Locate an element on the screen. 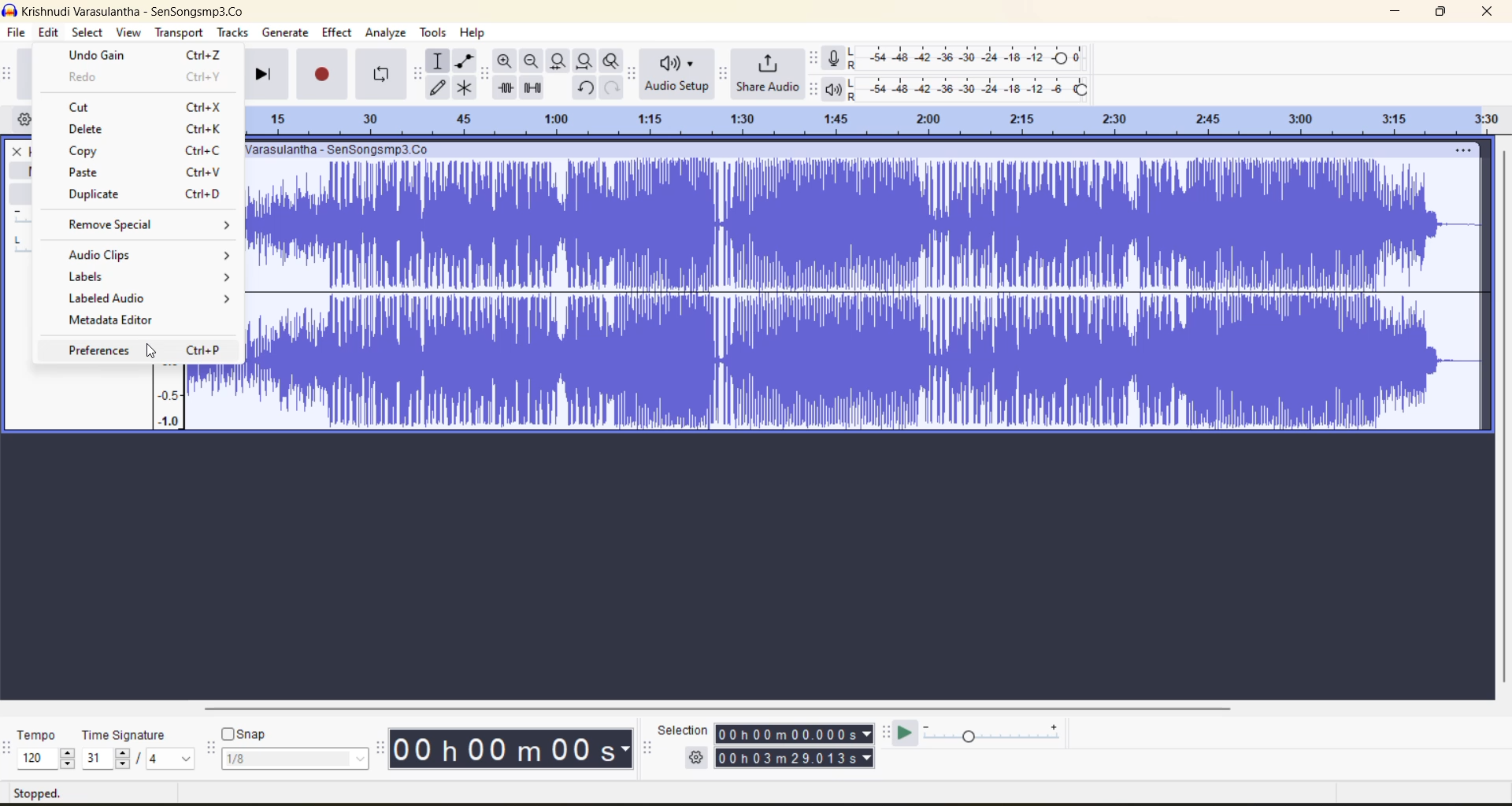 The image size is (1512, 806). maximize is located at coordinates (1444, 12).